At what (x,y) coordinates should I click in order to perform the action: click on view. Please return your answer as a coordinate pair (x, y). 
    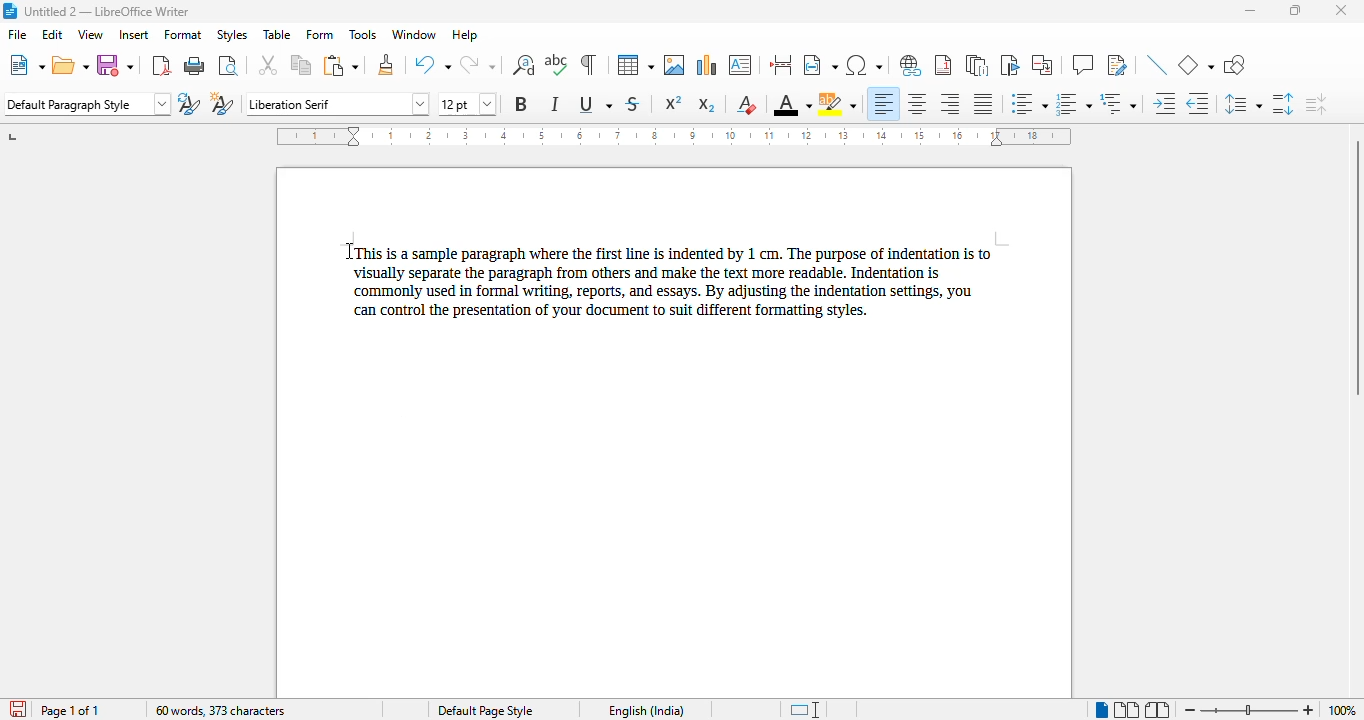
    Looking at the image, I should click on (90, 34).